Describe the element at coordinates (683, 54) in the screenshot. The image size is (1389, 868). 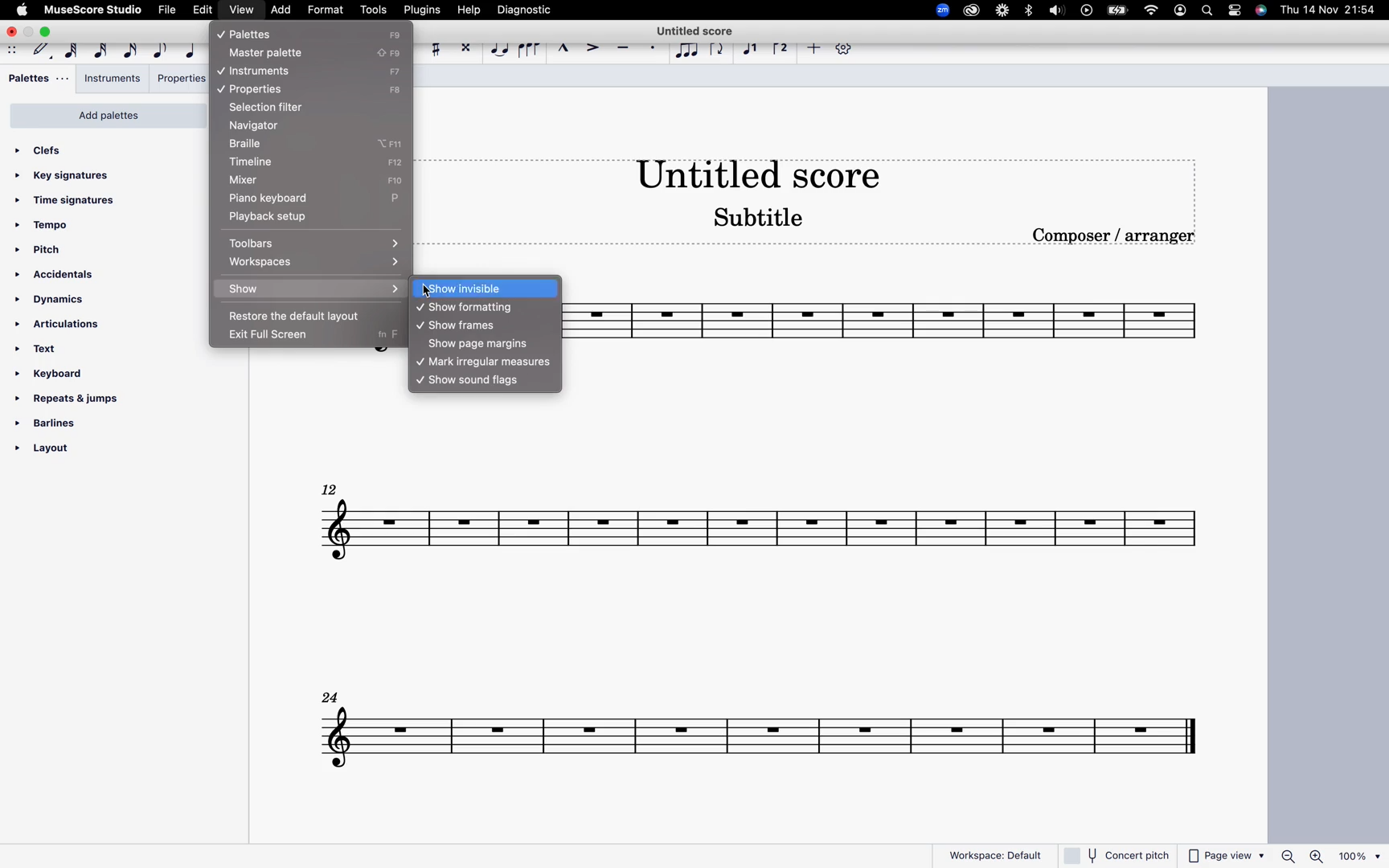
I see `tuplet` at that location.